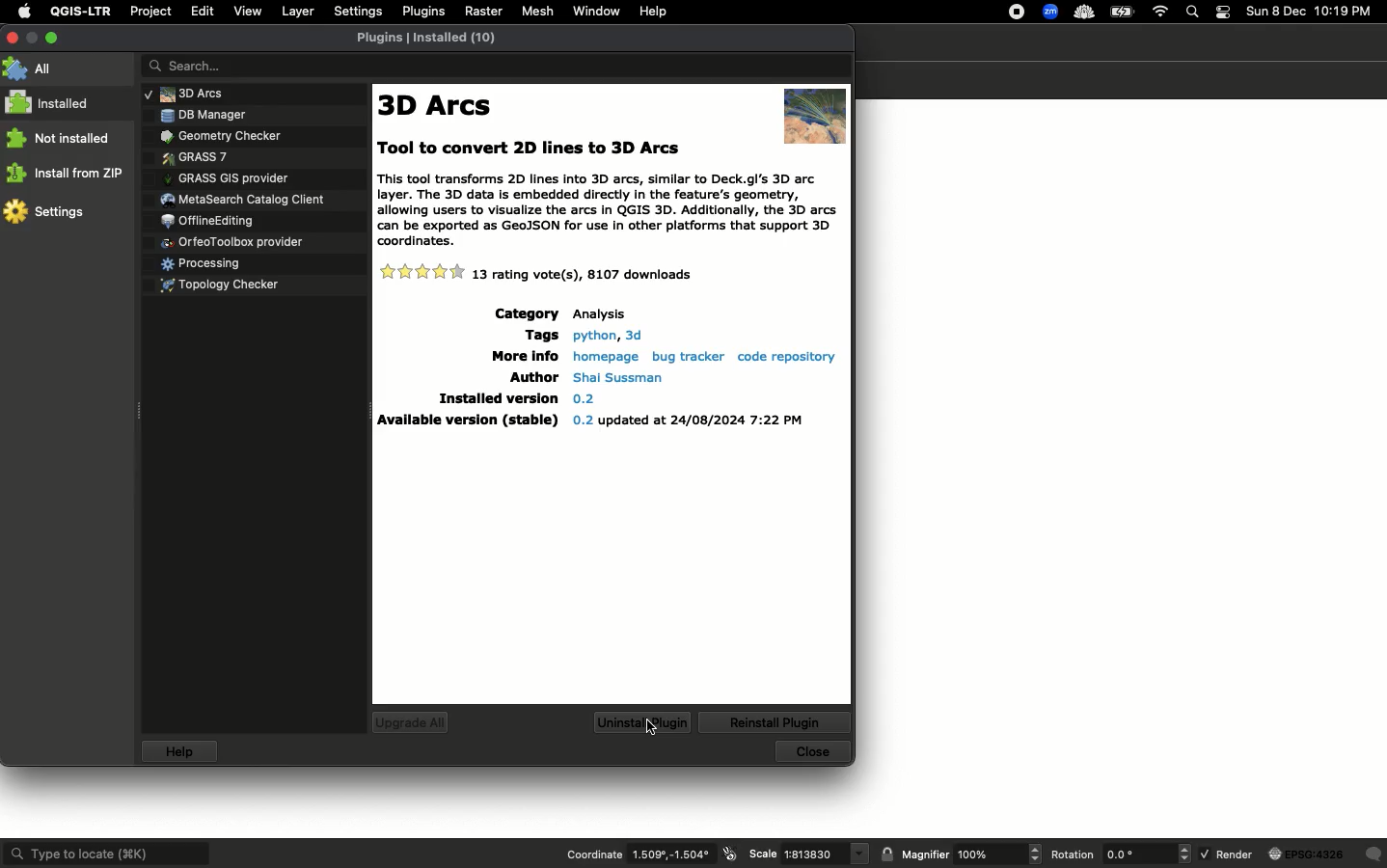 This screenshot has height=868, width=1387. I want to click on Plugins, so click(229, 283).